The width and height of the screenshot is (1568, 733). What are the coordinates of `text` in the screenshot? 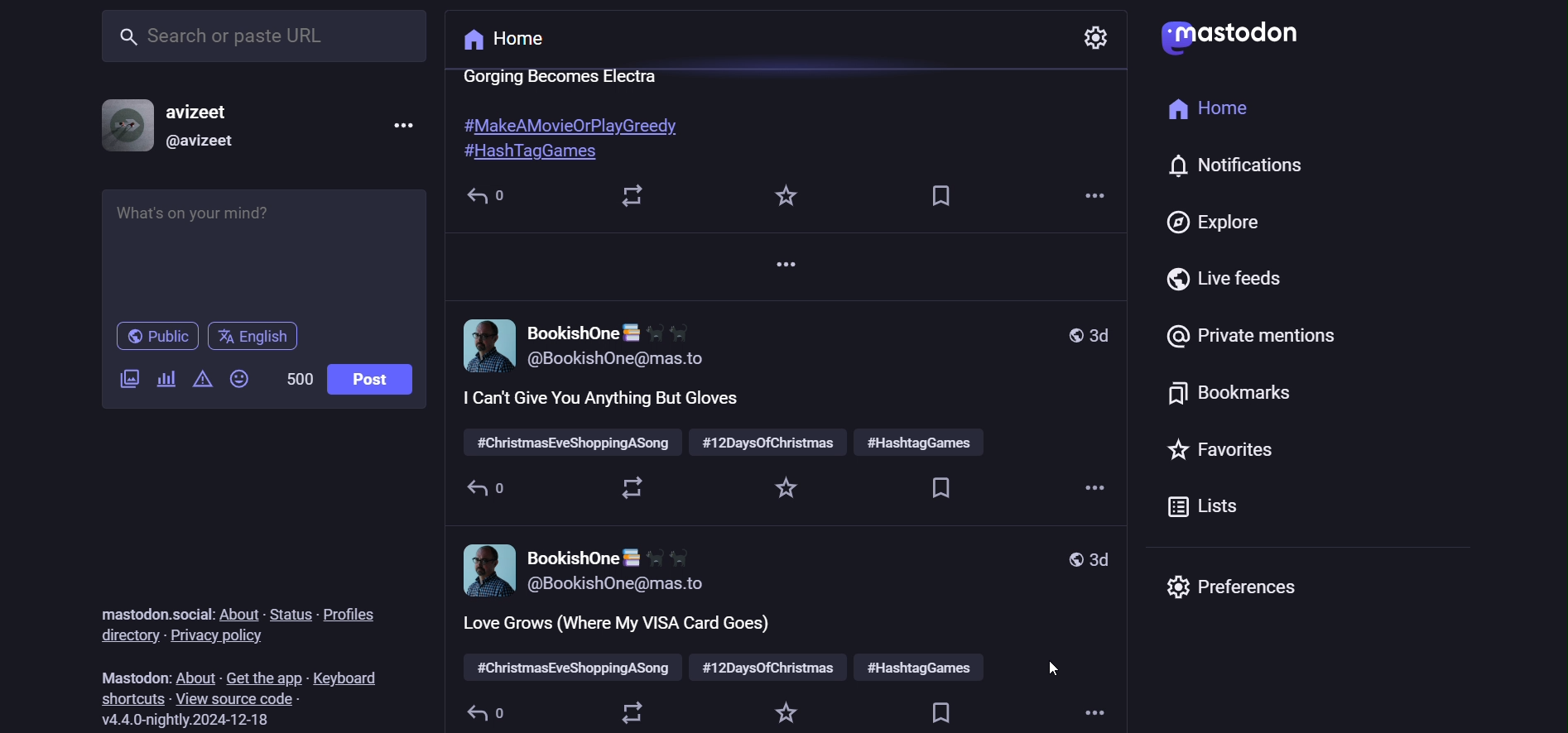 It's located at (563, 76).